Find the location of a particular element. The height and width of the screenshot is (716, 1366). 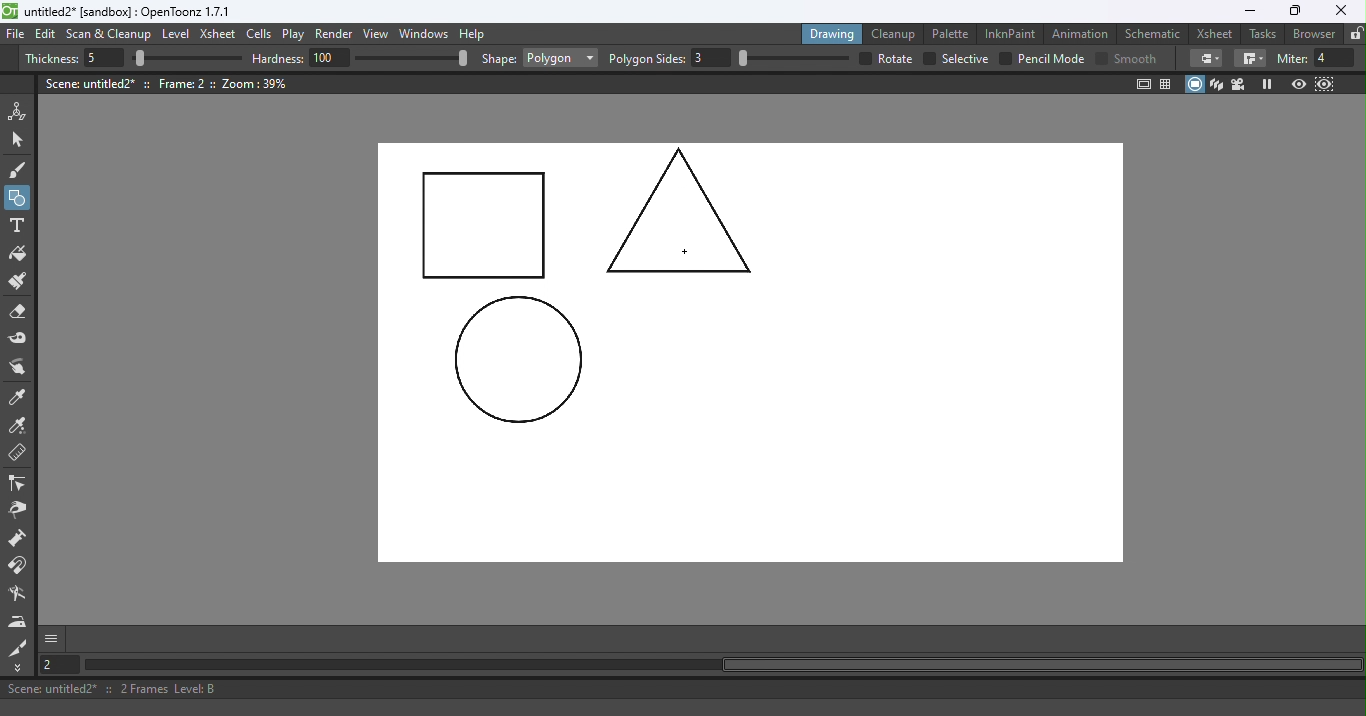

Blender tool is located at coordinates (21, 595).